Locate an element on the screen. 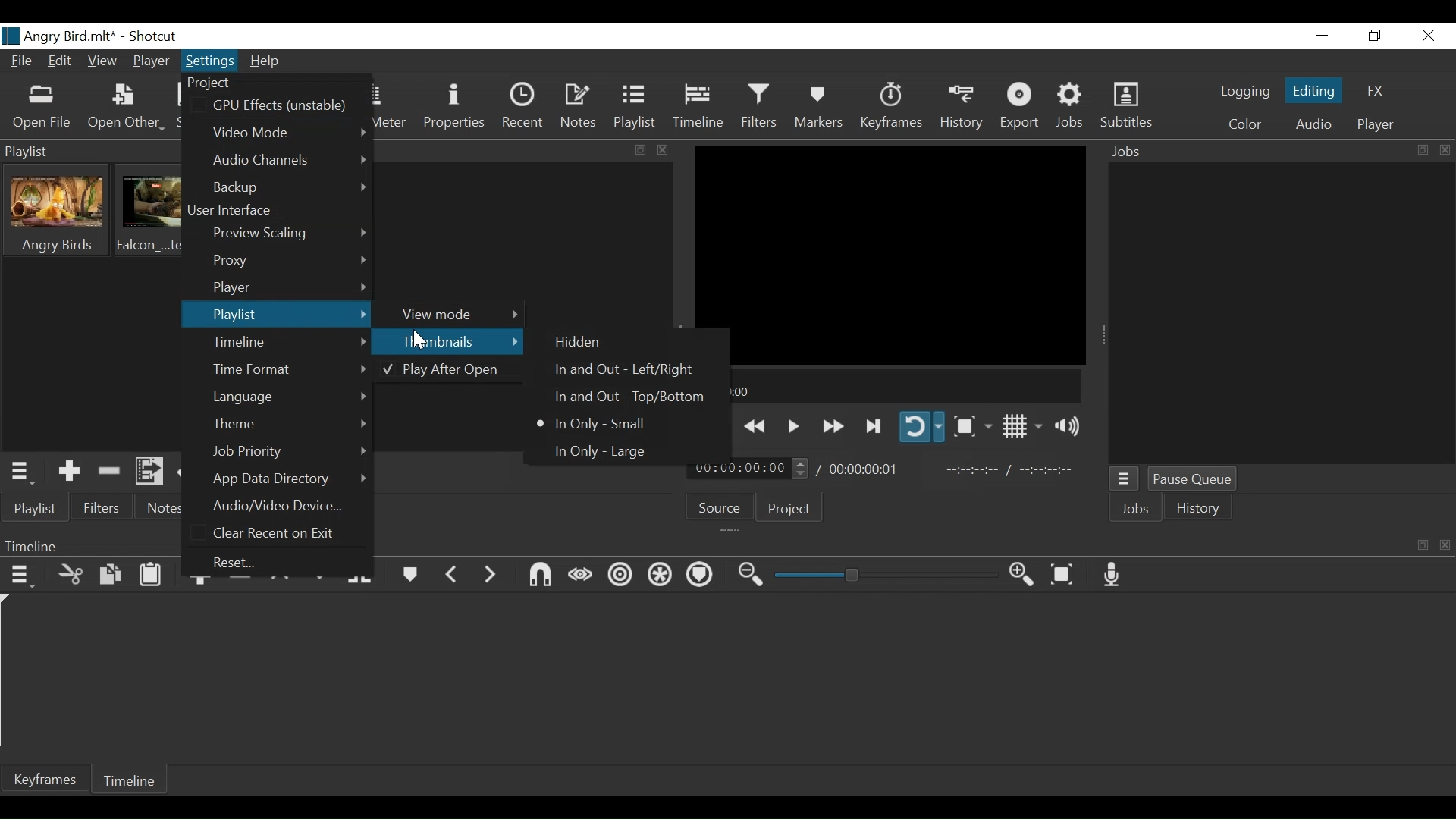 Image resolution: width=1456 pixels, height=819 pixels. Previous Scaling is located at coordinates (289, 235).